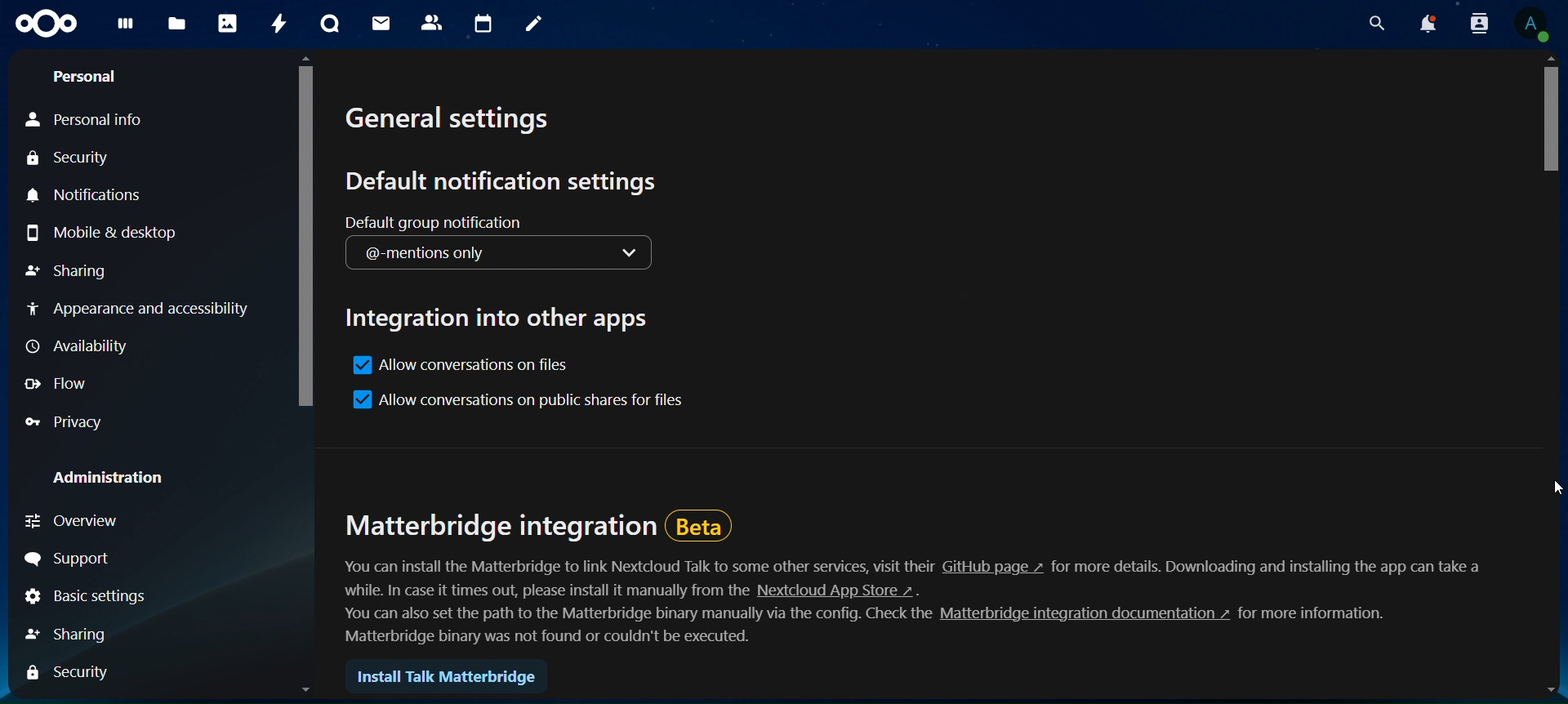  What do you see at coordinates (540, 524) in the screenshot?
I see `matterbridge integration` at bounding box center [540, 524].